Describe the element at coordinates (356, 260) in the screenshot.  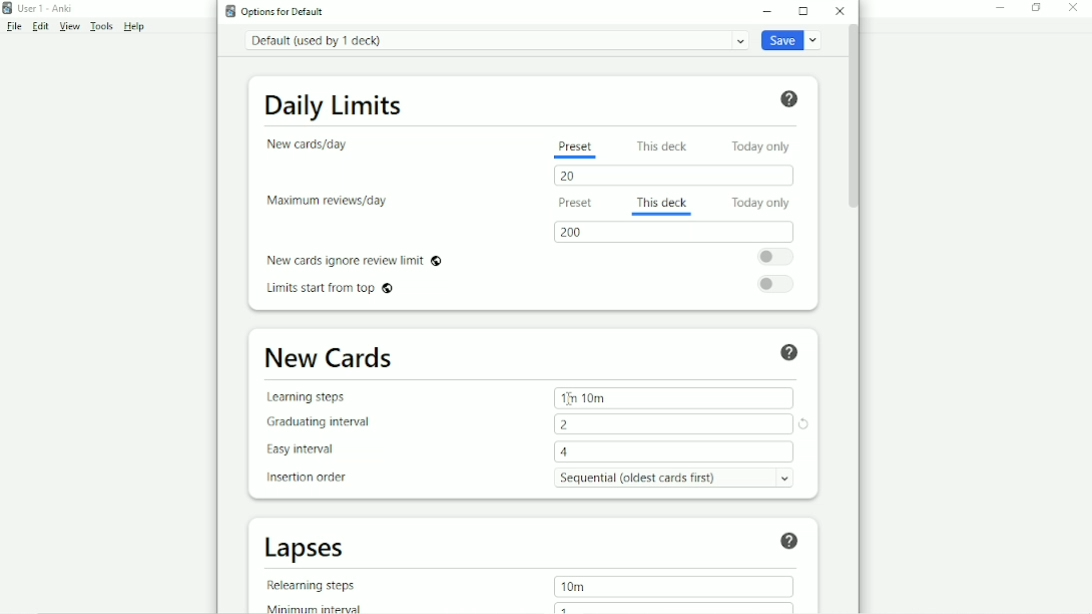
I see `New cards ignore review limit` at that location.